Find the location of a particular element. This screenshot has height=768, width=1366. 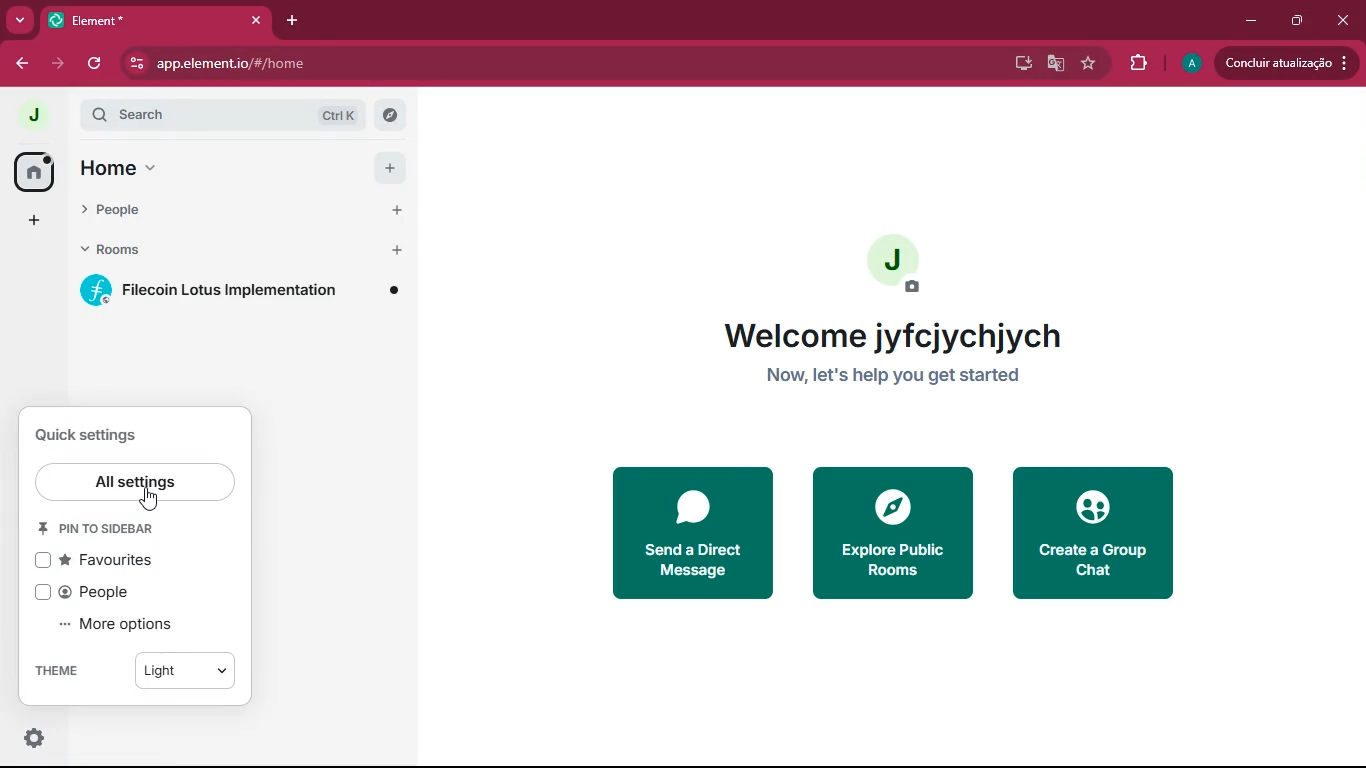

home is located at coordinates (137, 167).